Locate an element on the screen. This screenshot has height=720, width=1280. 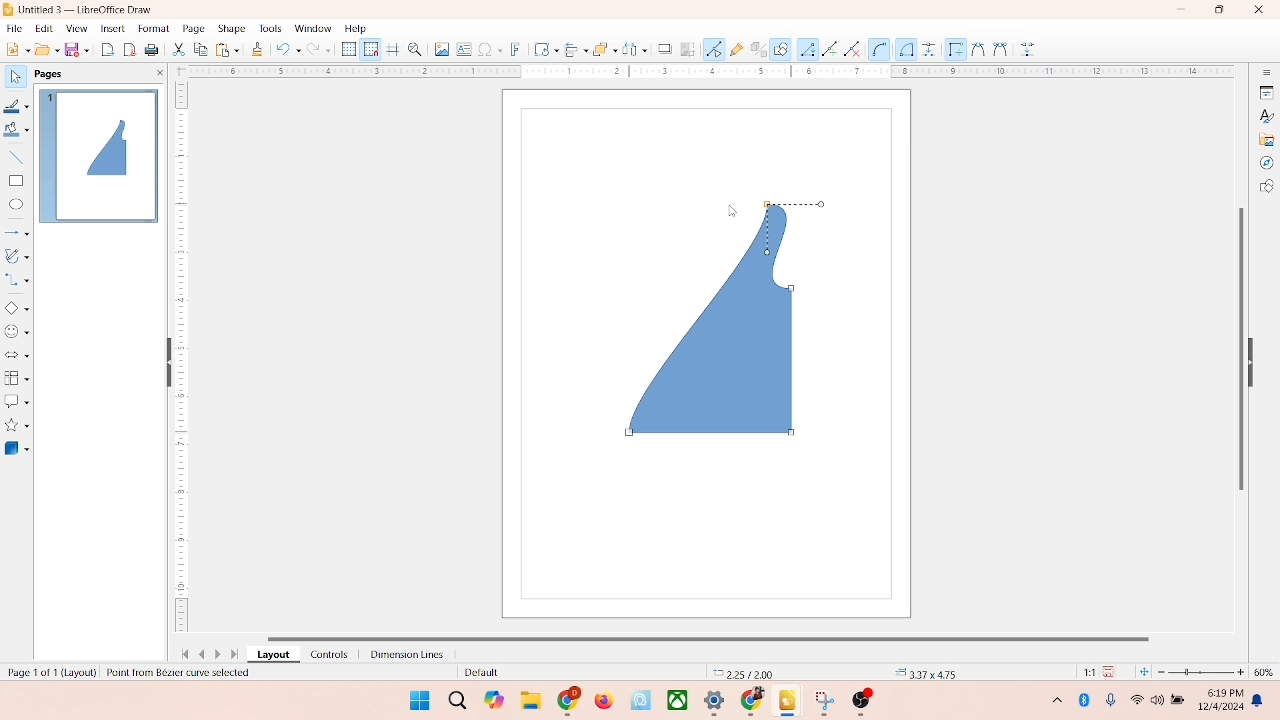
fit to current window is located at coordinates (1143, 672).